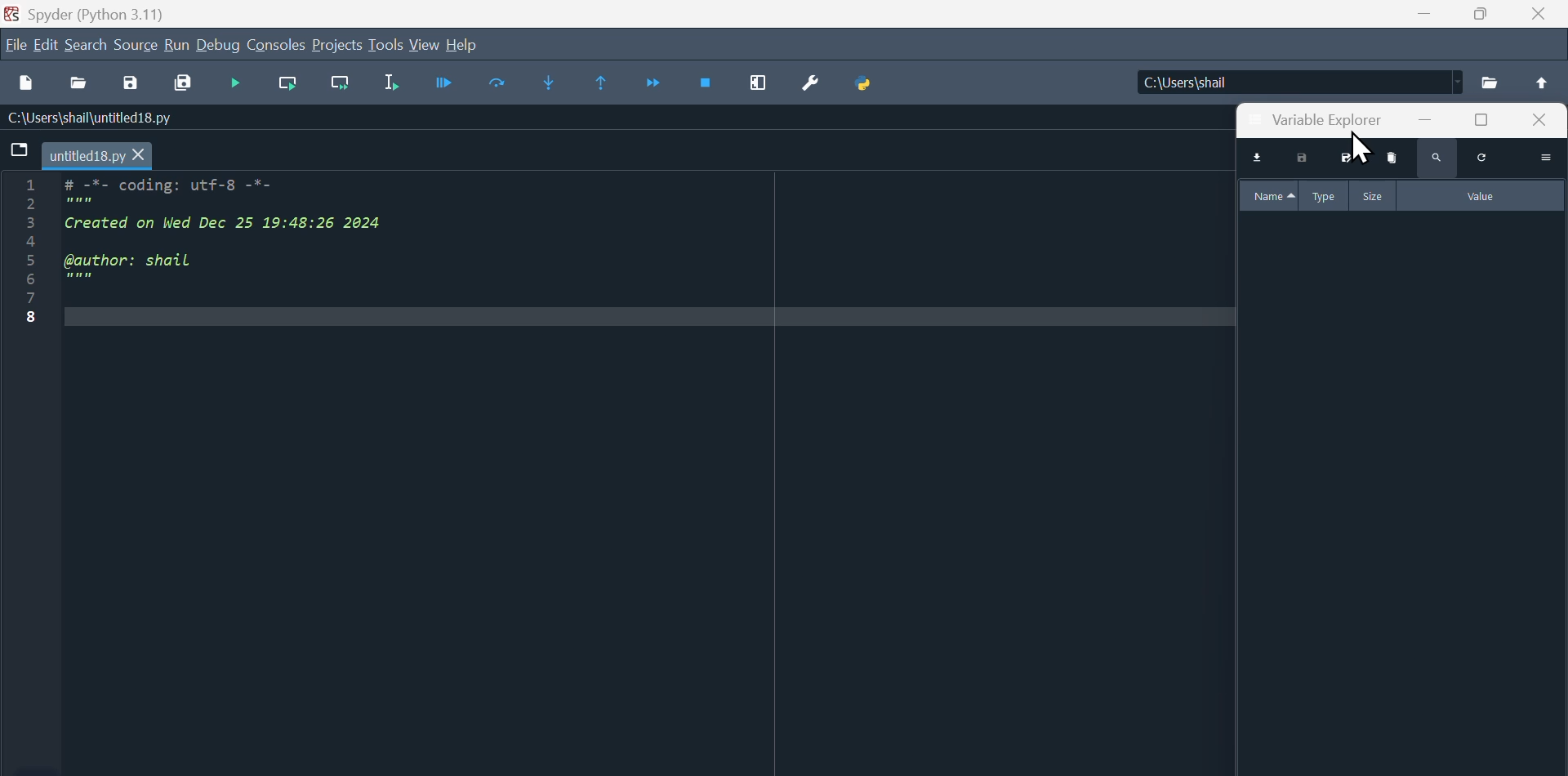  Describe the element at coordinates (350, 249) in the screenshot. I see `# -*- coding: utf-8 -*-
Created on Wed Dec 25 19:48:26 2024
@author: shail` at that location.